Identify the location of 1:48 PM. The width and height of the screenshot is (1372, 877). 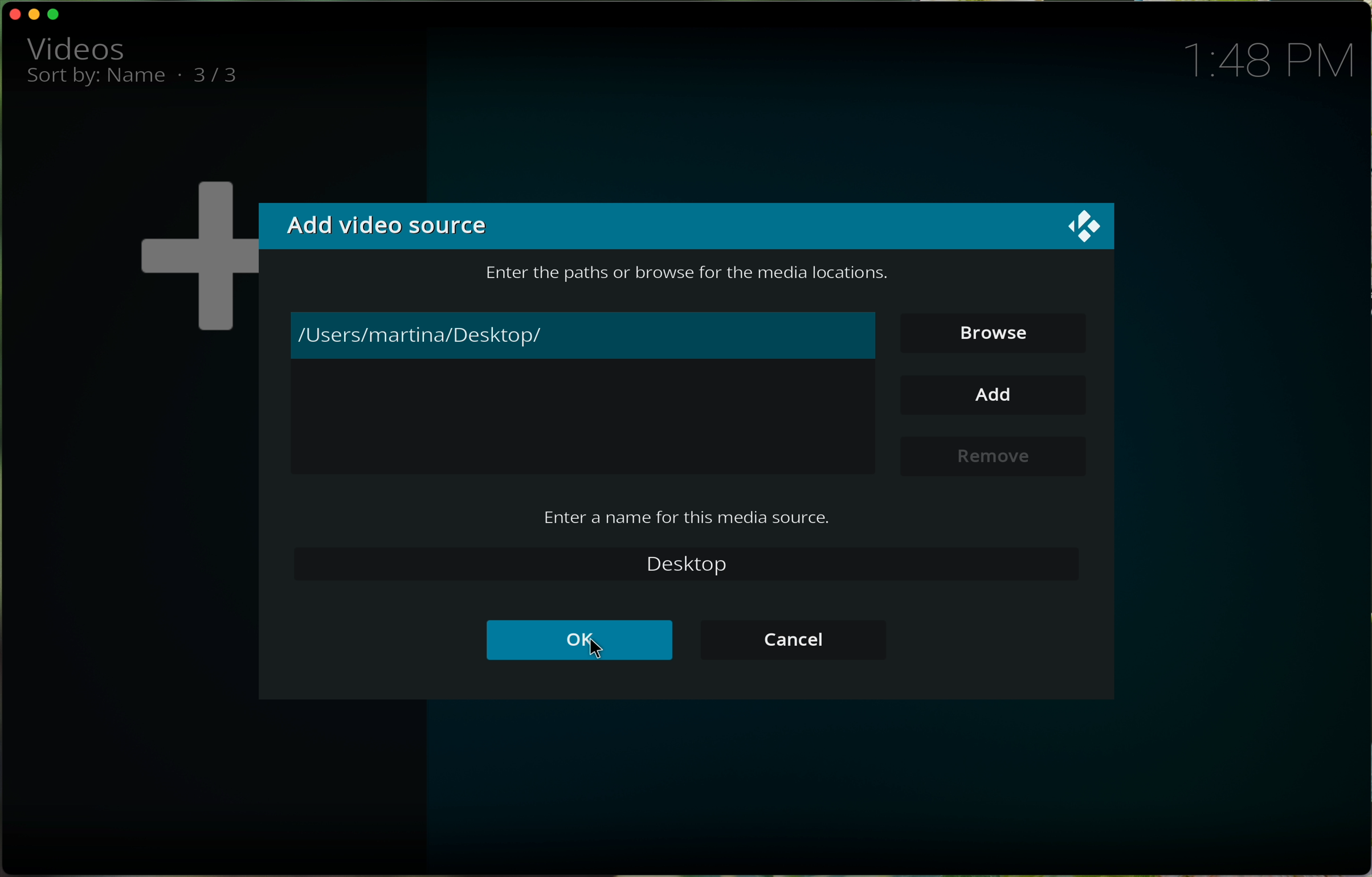
(1277, 59).